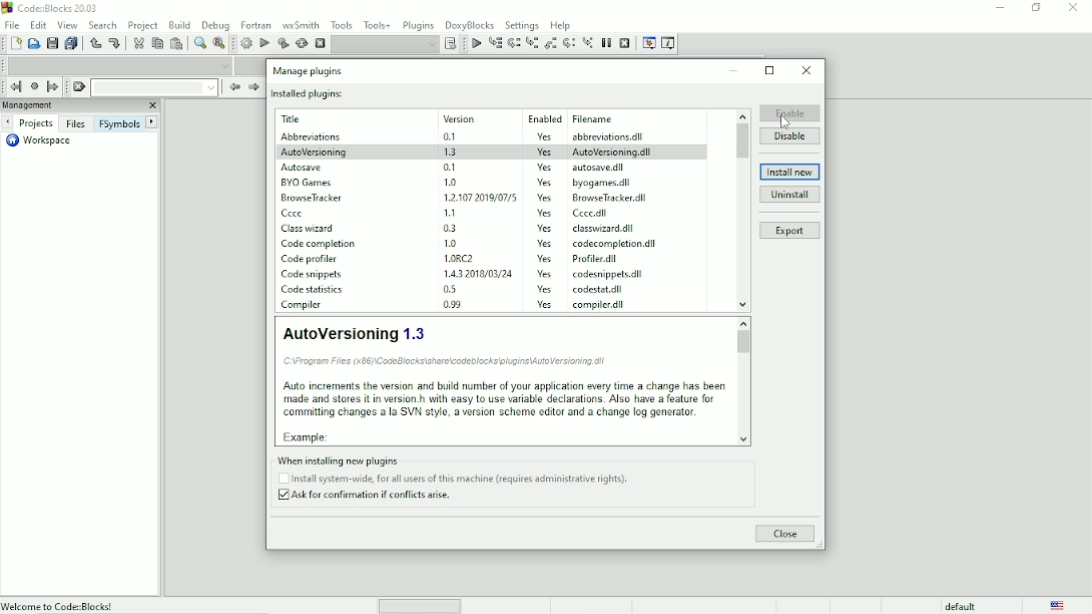 The width and height of the screenshot is (1092, 614). What do you see at coordinates (649, 44) in the screenshot?
I see `Debugging windows` at bounding box center [649, 44].